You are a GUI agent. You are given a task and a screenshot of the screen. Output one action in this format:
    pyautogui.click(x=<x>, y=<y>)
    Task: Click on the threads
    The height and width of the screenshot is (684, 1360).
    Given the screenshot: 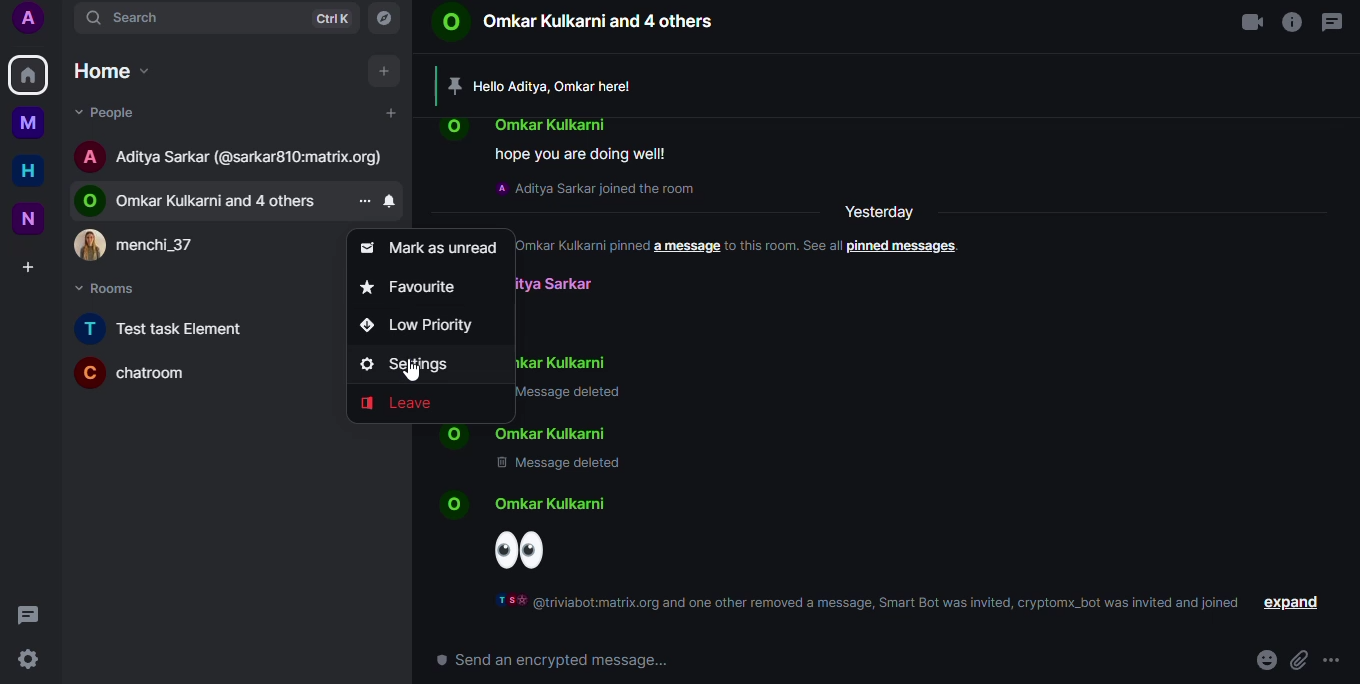 What is the action you would take?
    pyautogui.click(x=1334, y=23)
    